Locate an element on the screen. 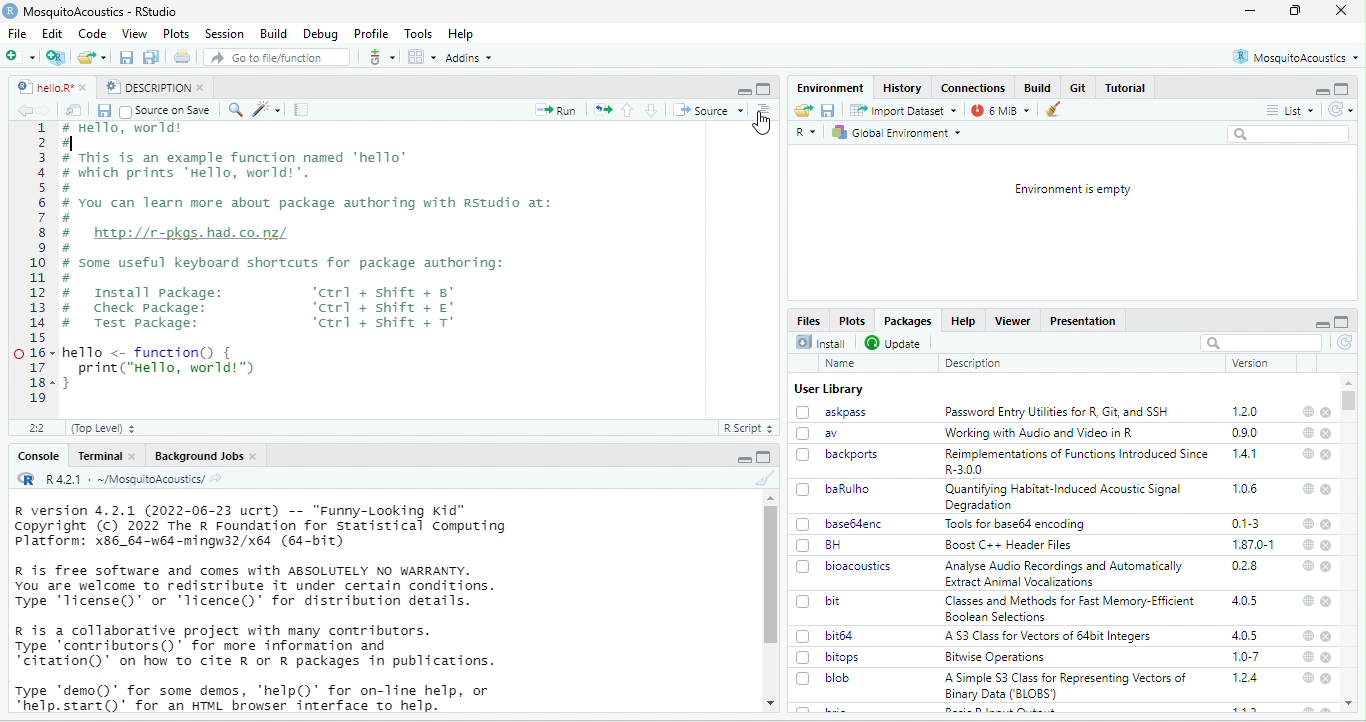 Image resolution: width=1366 pixels, height=722 pixels. Go to previous section is located at coordinates (628, 111).